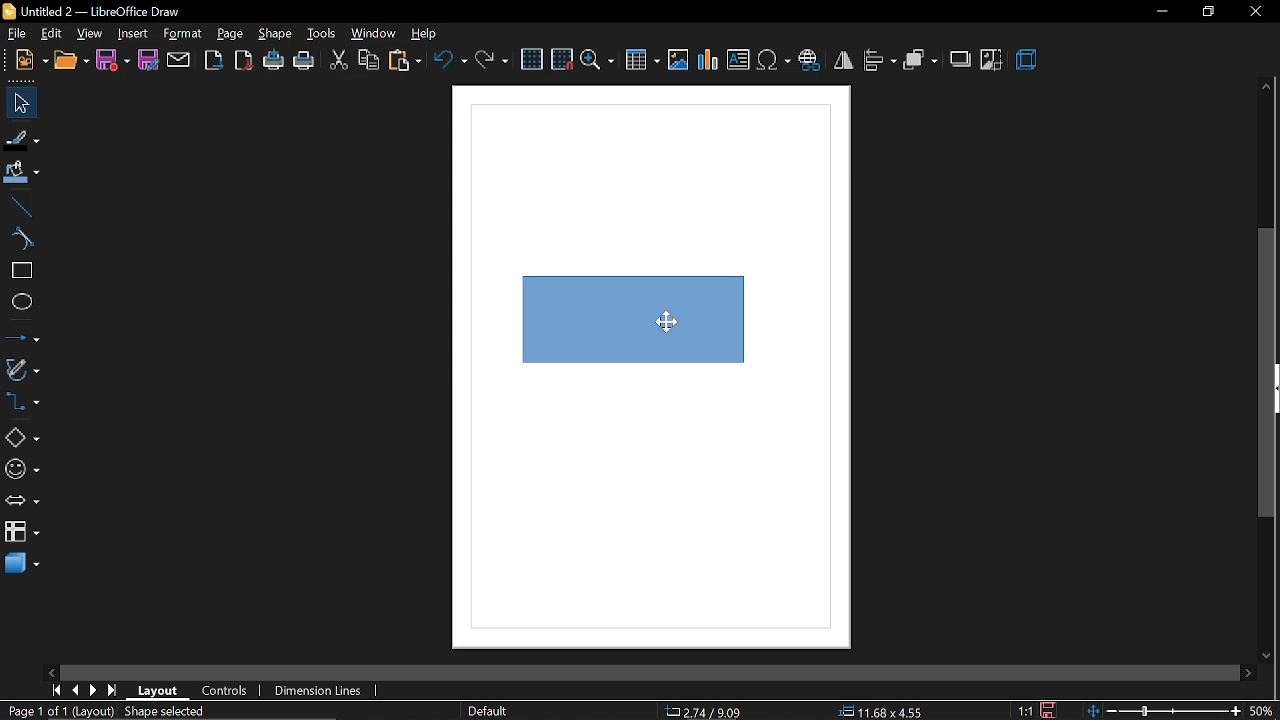 This screenshot has height=720, width=1280. What do you see at coordinates (1163, 712) in the screenshot?
I see `change zoom` at bounding box center [1163, 712].